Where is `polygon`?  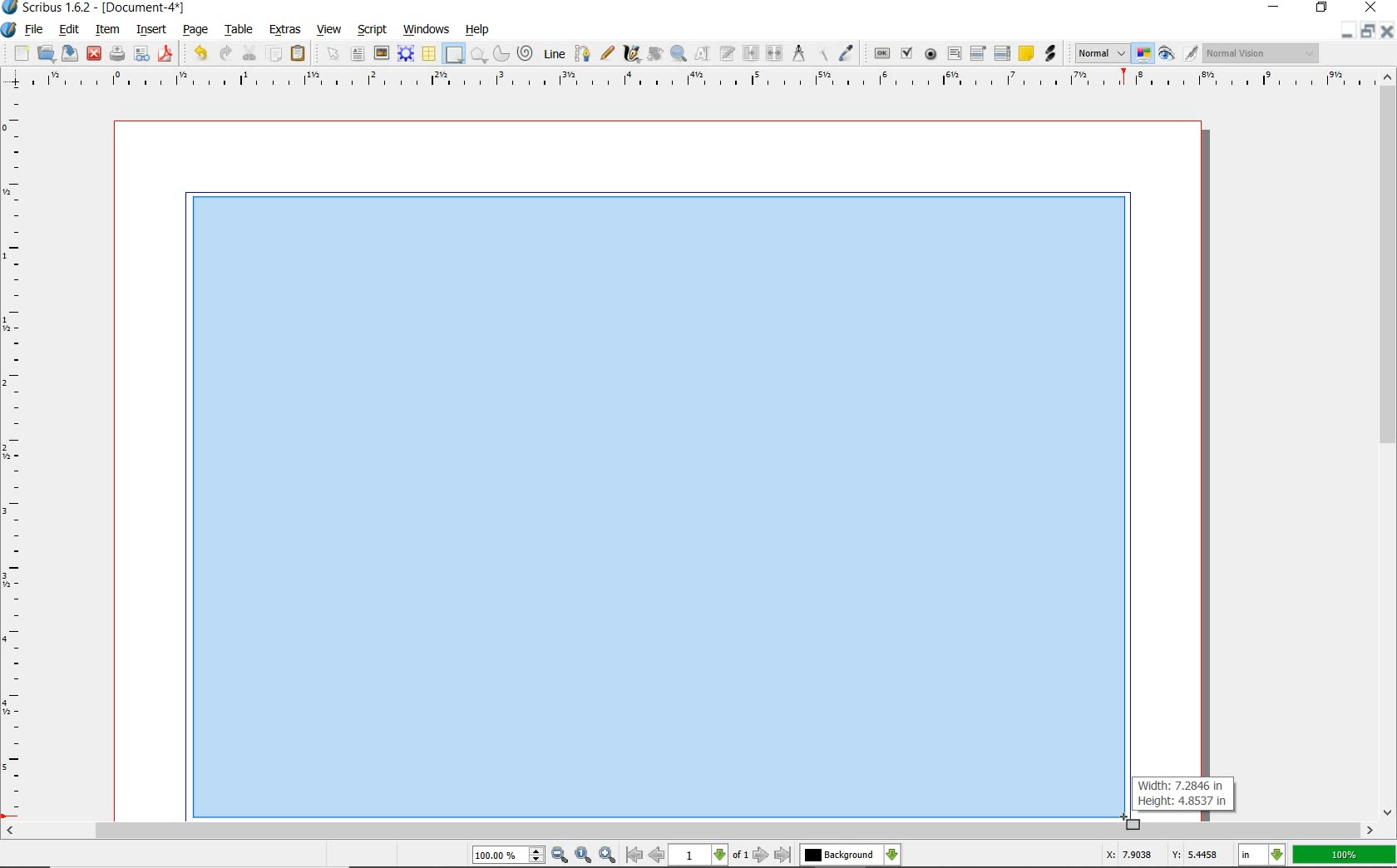 polygon is located at coordinates (479, 56).